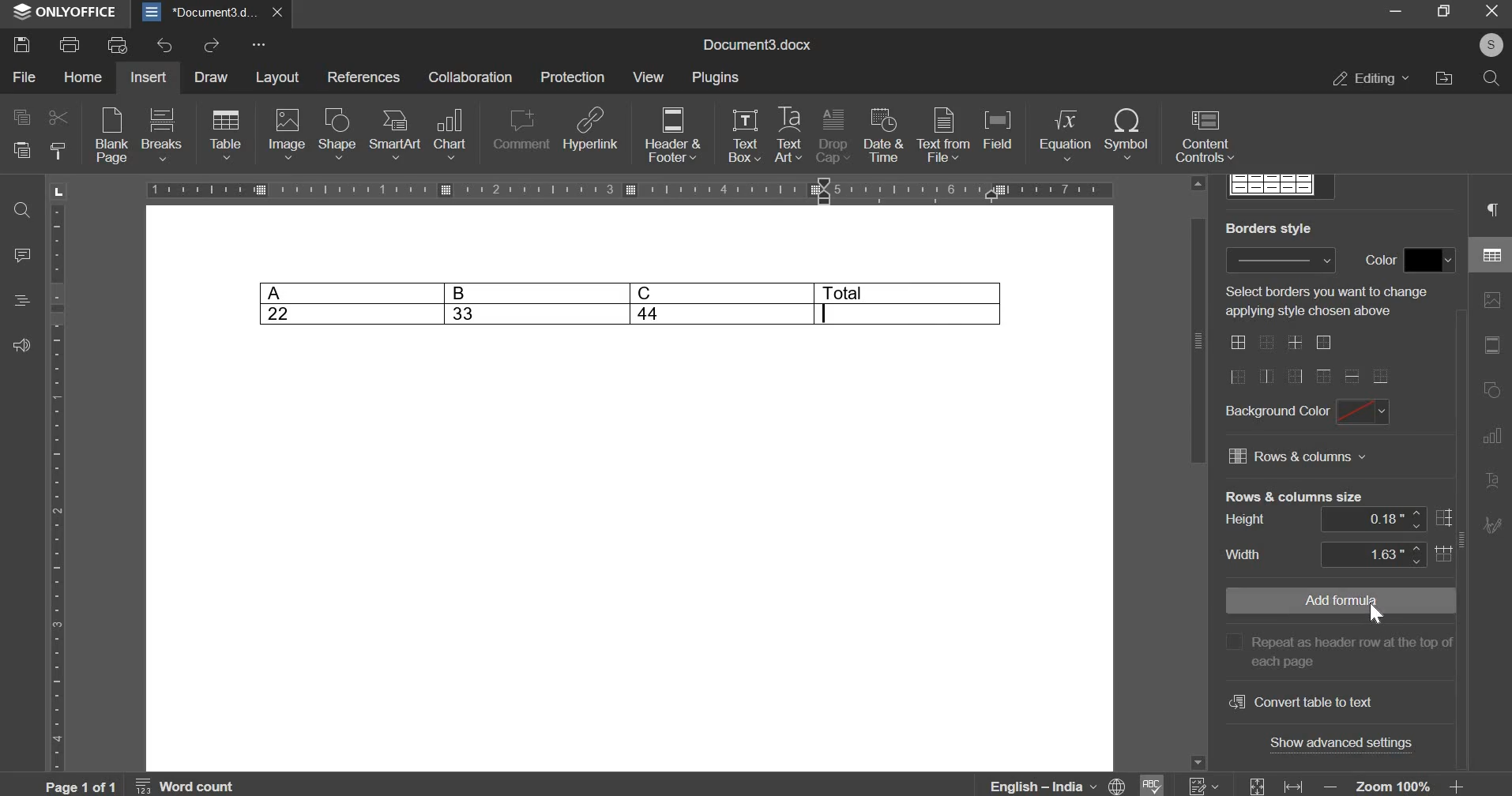  I want to click on cut, so click(58, 118).